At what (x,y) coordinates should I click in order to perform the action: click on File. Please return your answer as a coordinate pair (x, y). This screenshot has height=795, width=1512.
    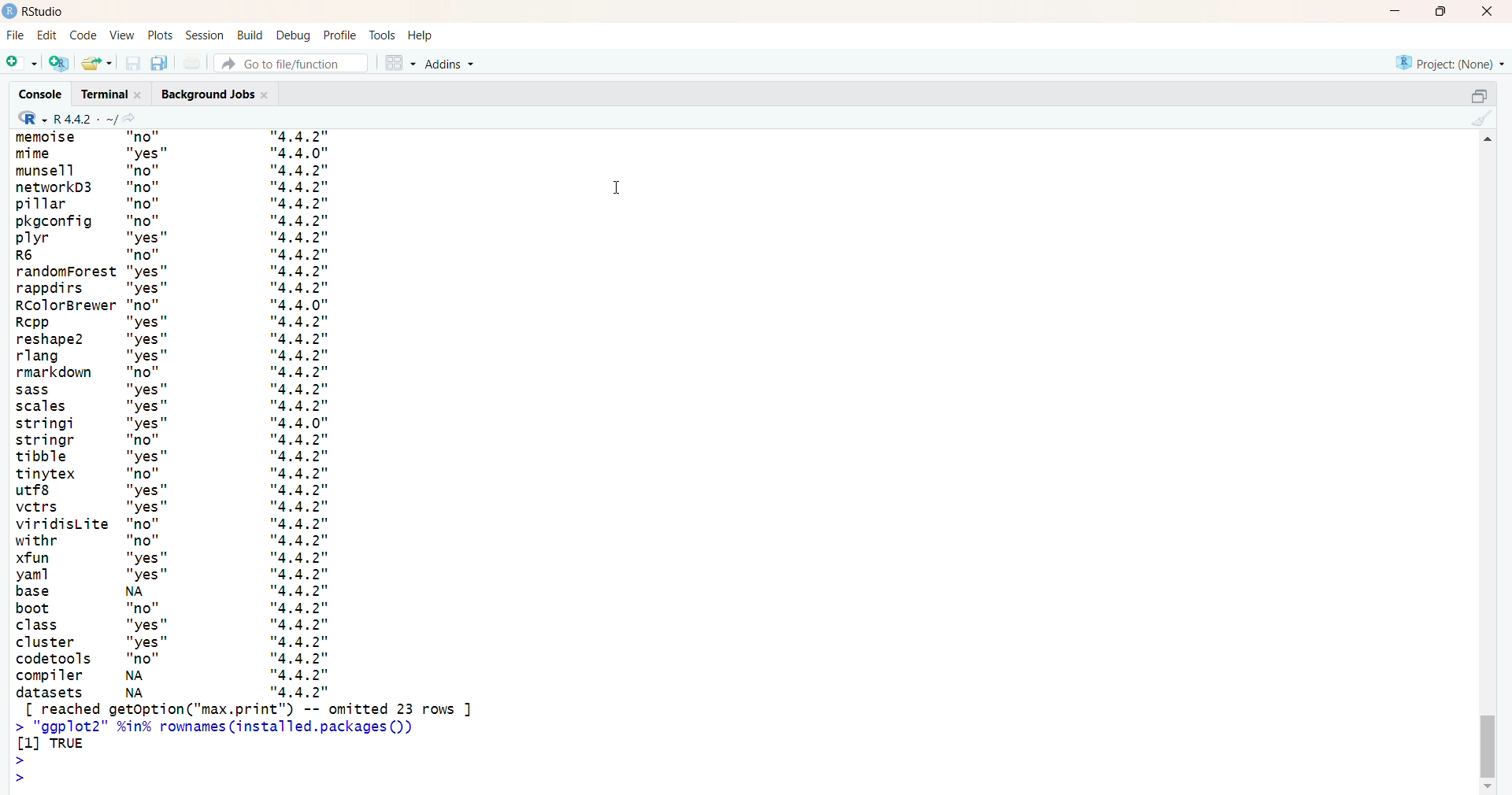
    Looking at the image, I should click on (13, 37).